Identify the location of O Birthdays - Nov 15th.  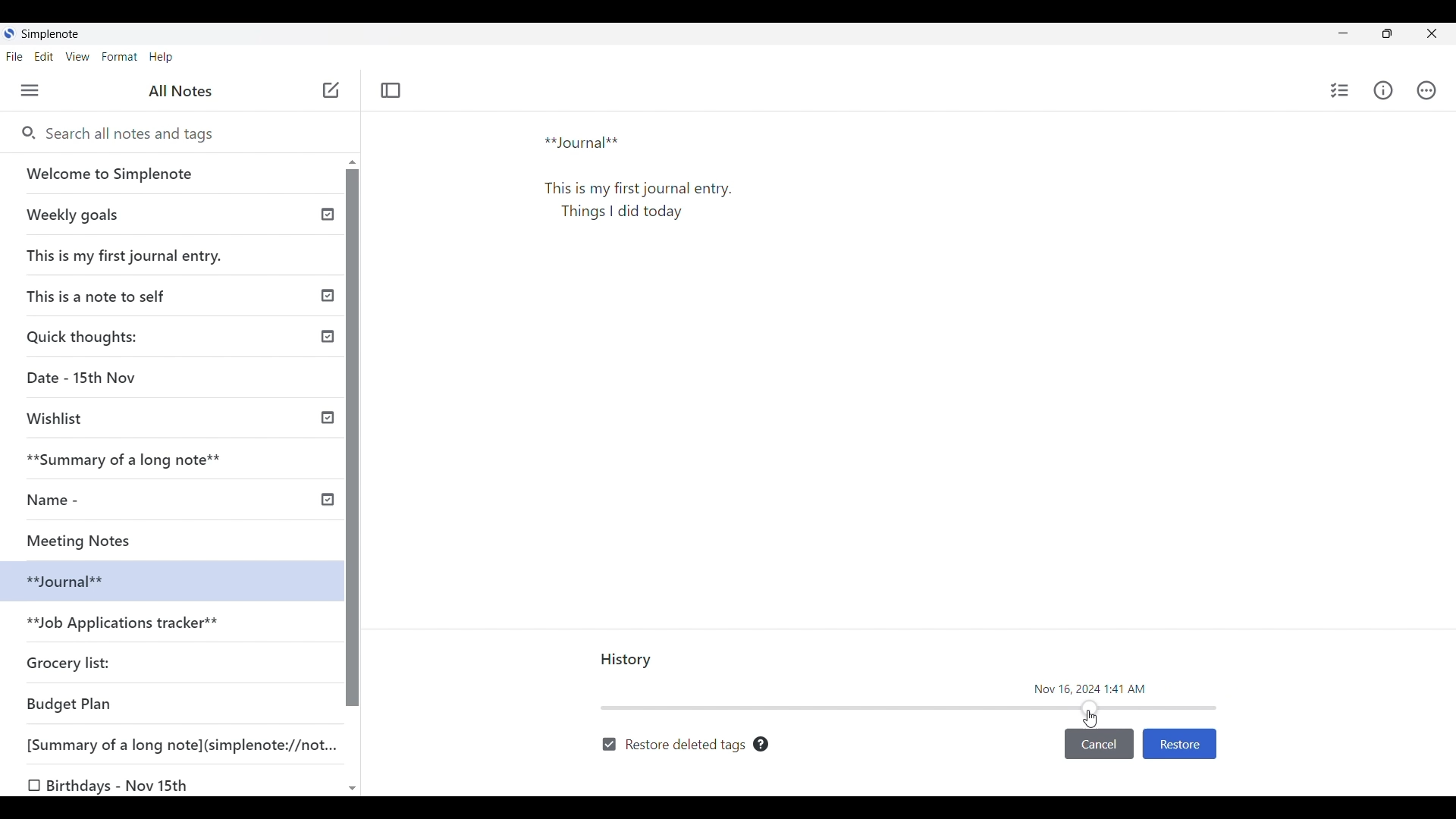
(111, 786).